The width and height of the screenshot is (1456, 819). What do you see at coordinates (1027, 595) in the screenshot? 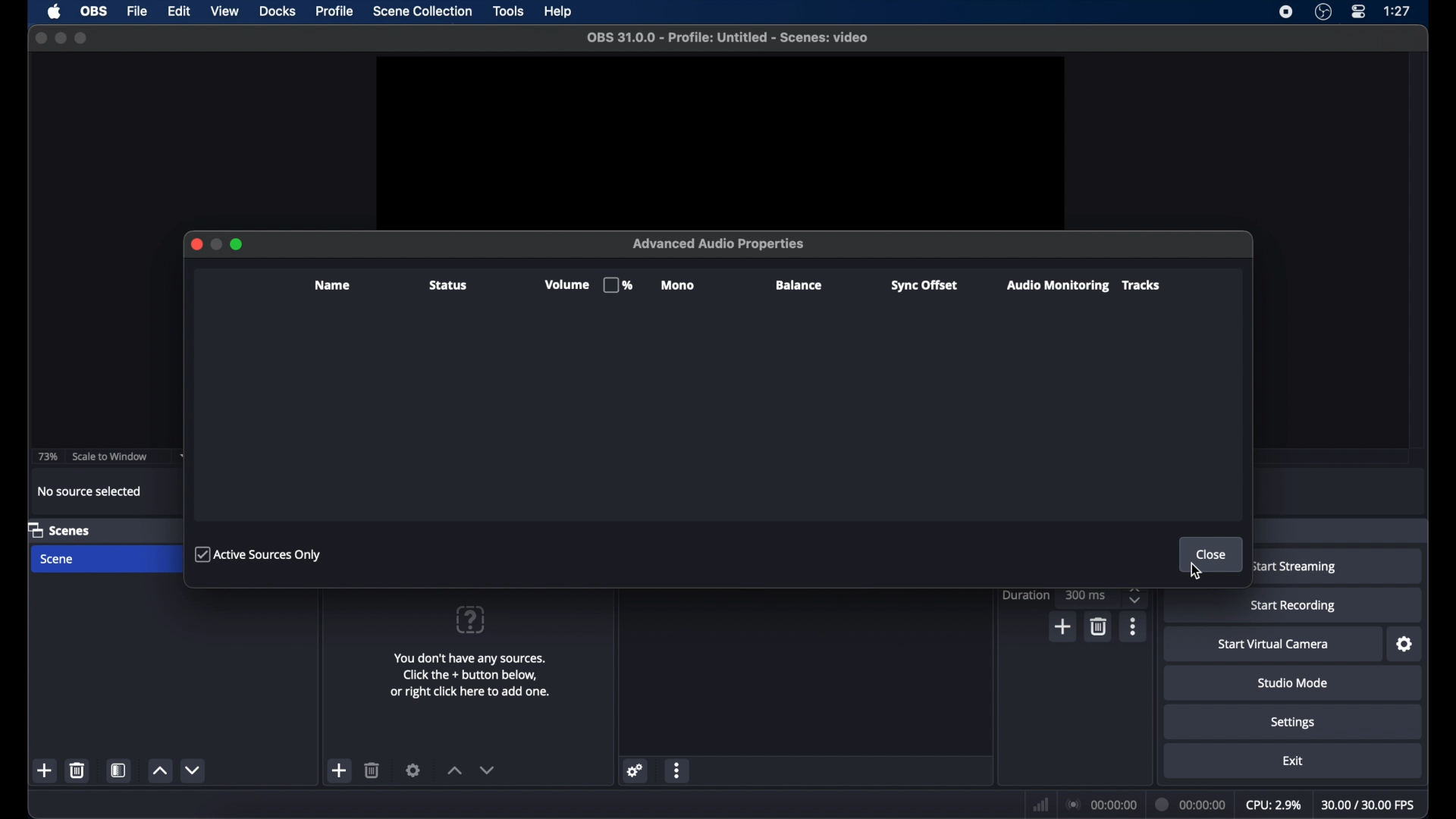
I see `duration` at bounding box center [1027, 595].